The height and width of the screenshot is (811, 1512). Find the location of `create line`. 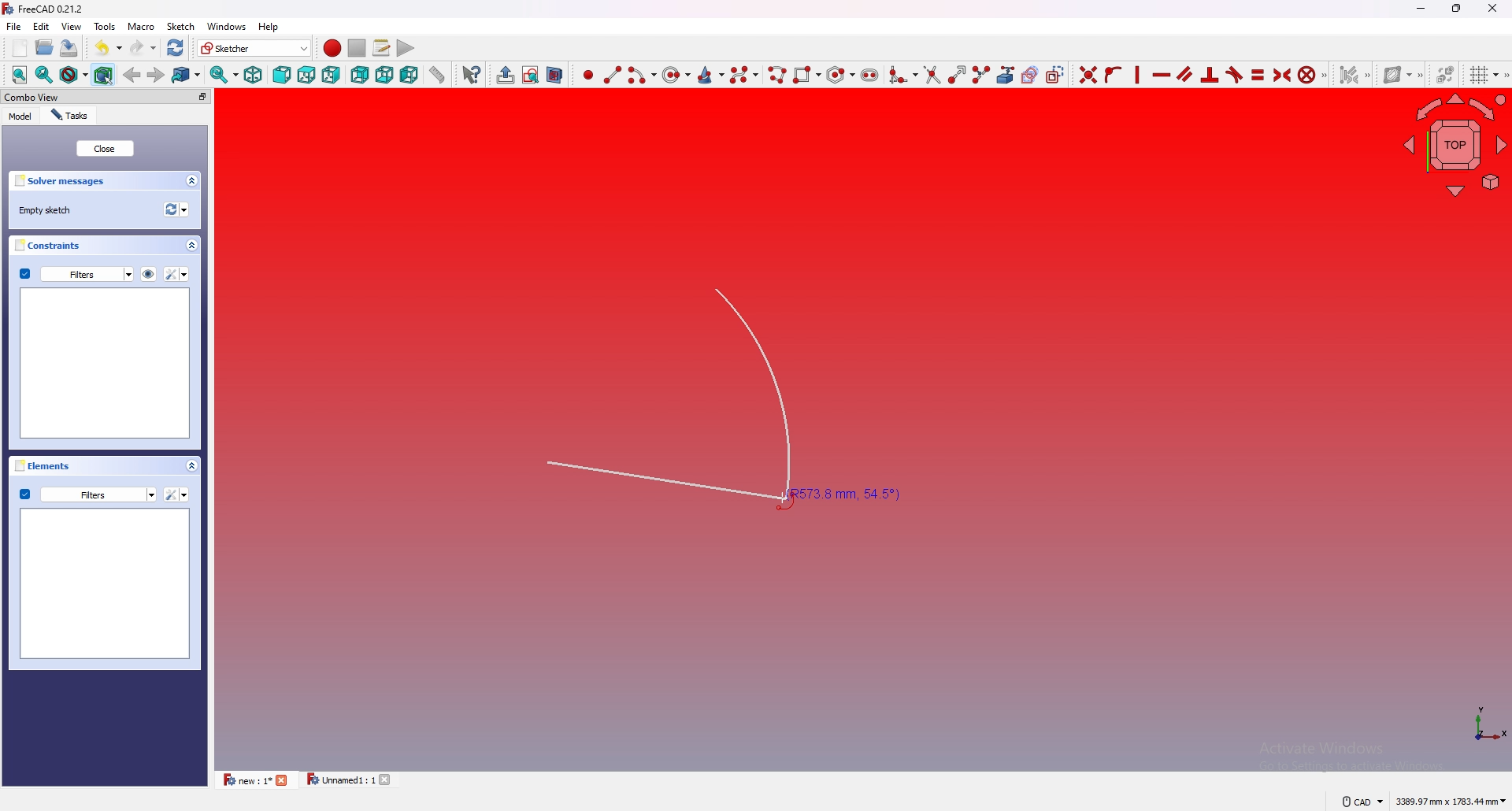

create line is located at coordinates (613, 74).